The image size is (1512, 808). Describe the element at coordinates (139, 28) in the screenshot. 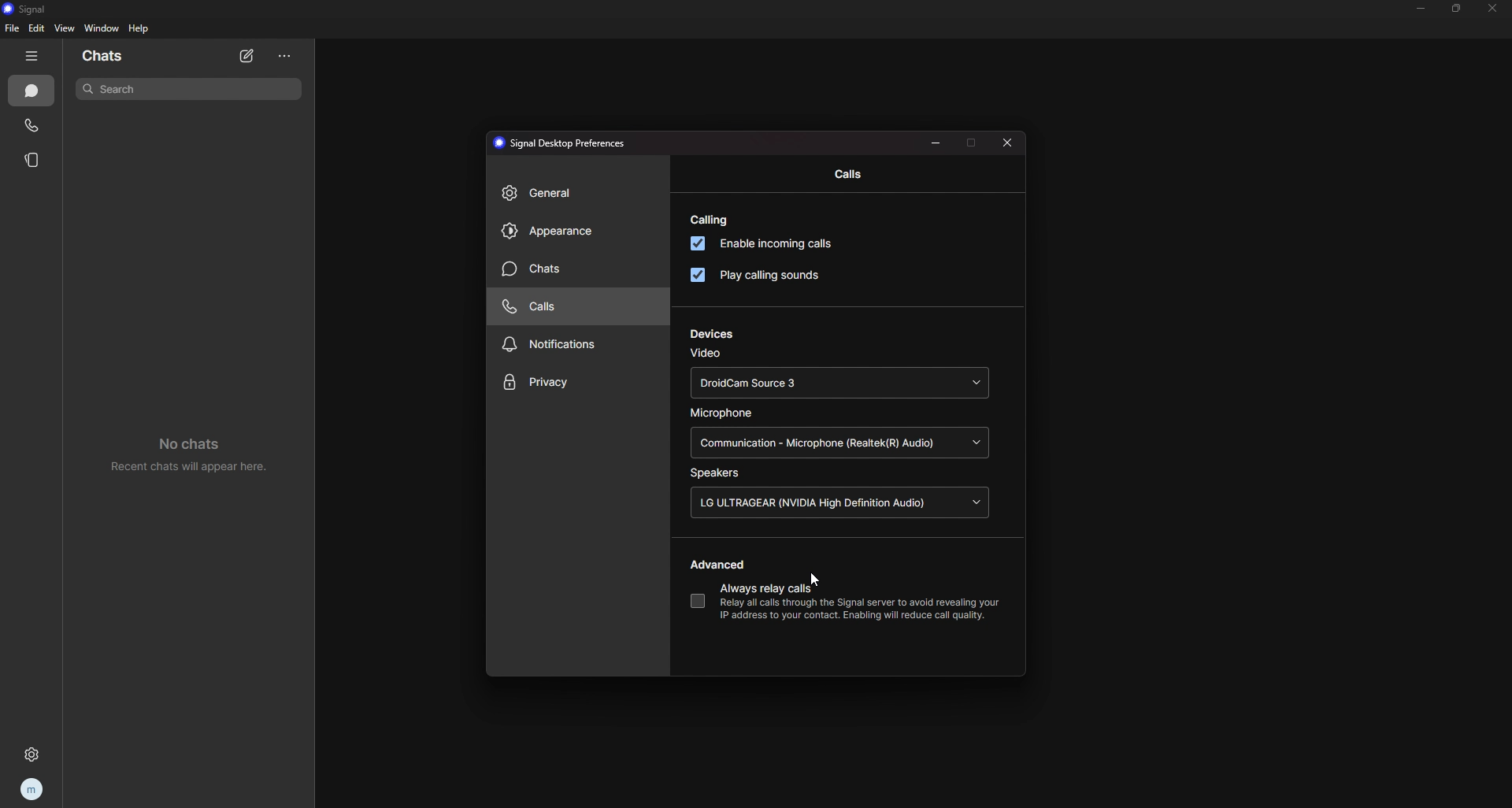

I see `help` at that location.